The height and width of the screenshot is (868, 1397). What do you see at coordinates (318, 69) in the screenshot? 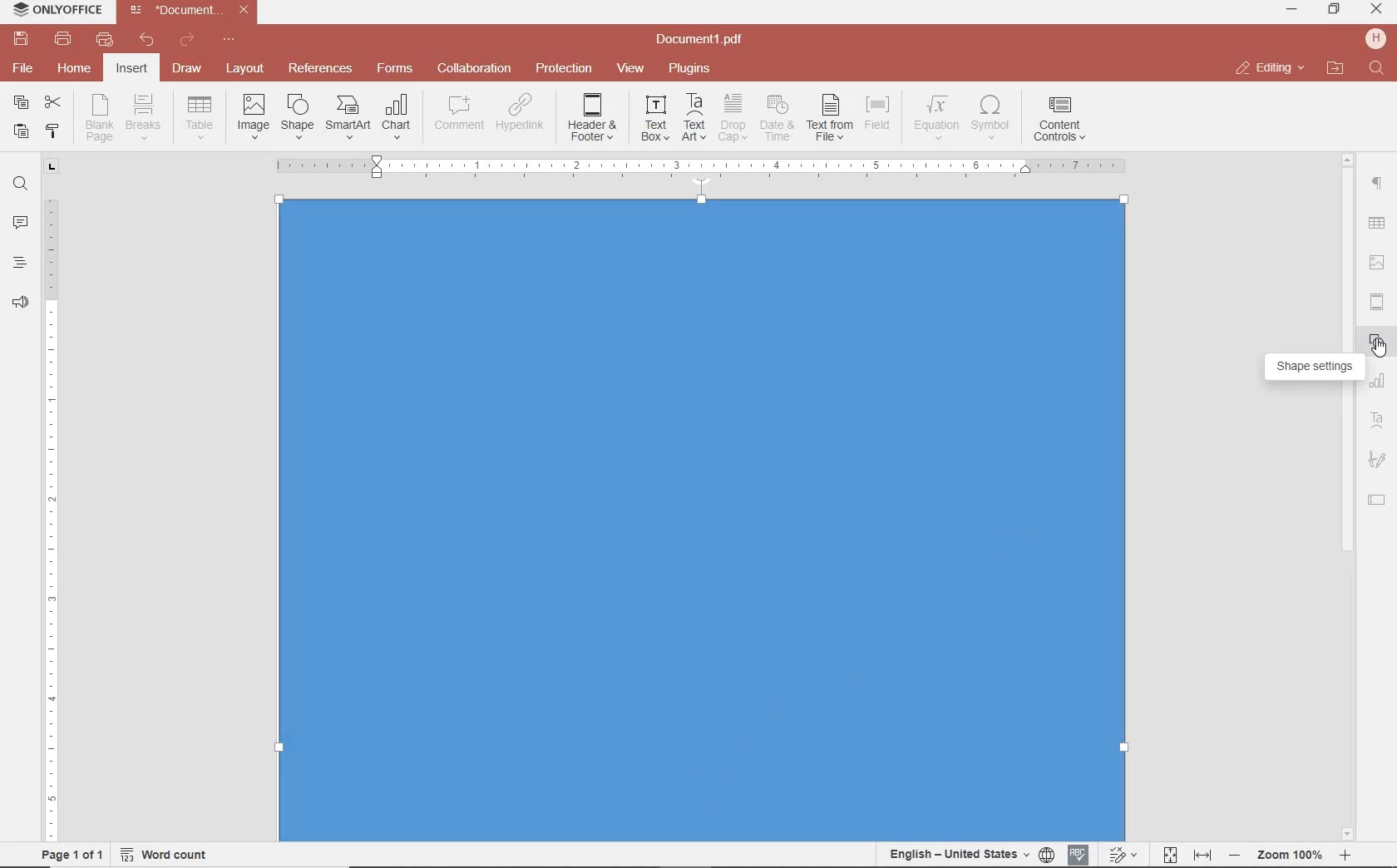
I see `reference` at bounding box center [318, 69].